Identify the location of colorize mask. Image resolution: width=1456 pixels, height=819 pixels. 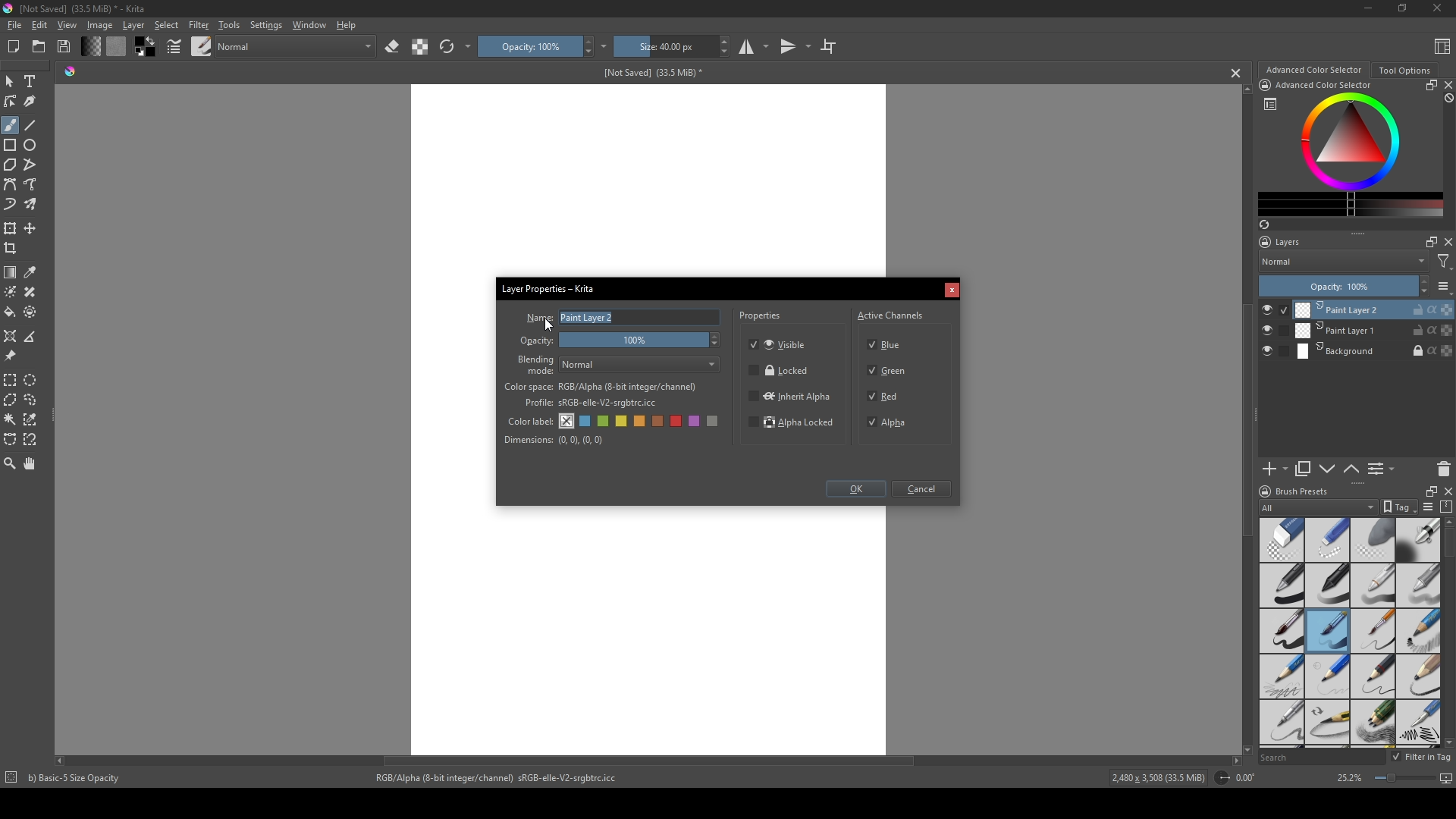
(11, 291).